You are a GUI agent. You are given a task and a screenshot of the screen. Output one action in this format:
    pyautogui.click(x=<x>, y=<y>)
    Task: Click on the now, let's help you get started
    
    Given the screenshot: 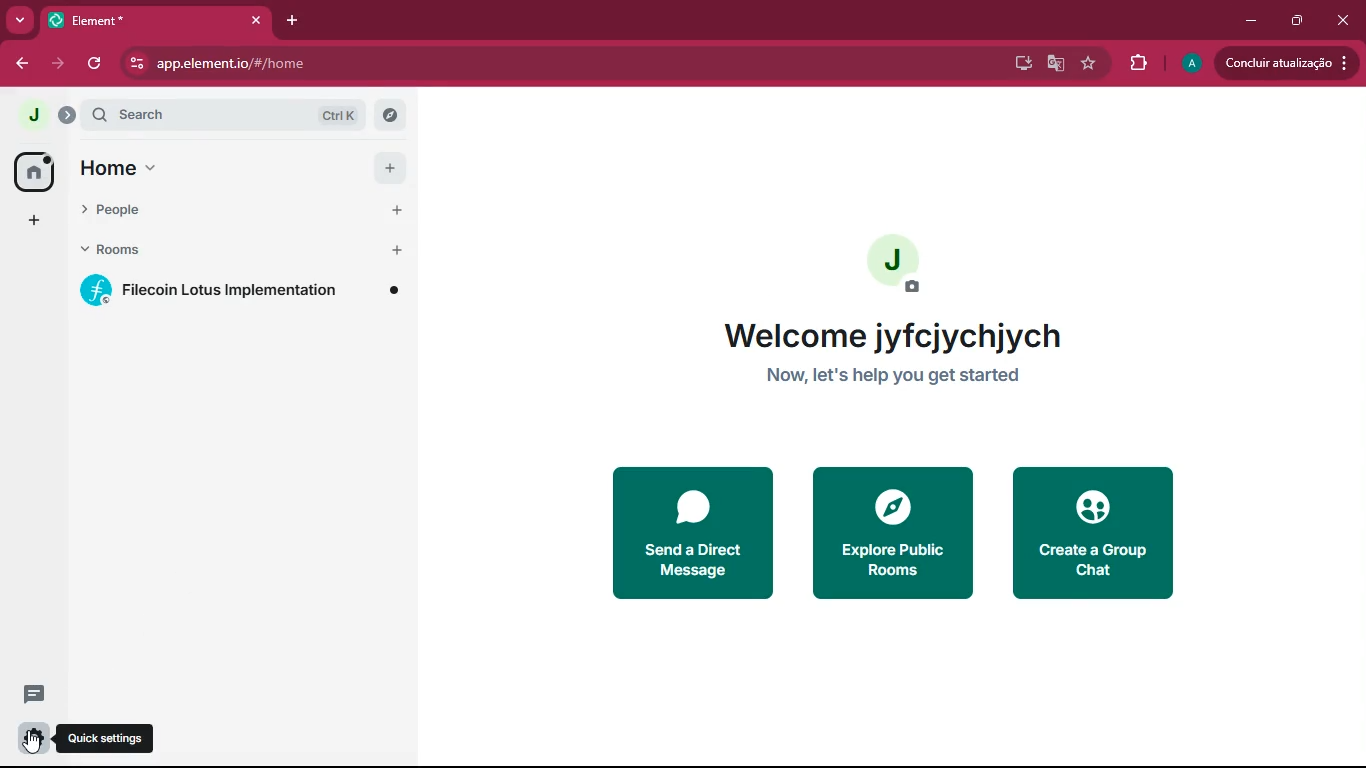 What is the action you would take?
    pyautogui.click(x=902, y=376)
    